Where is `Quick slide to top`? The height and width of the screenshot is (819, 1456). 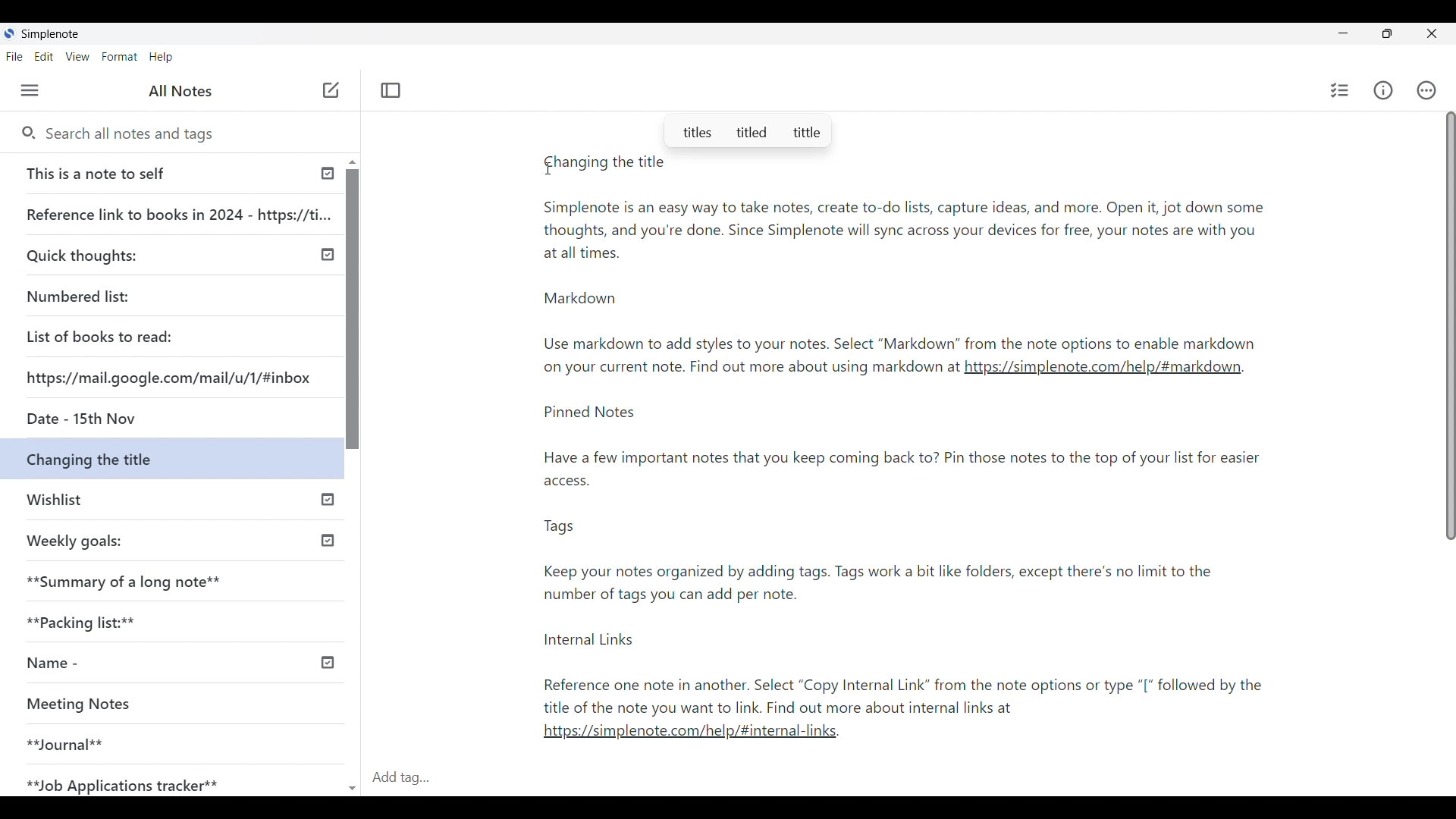
Quick slide to top is located at coordinates (353, 162).